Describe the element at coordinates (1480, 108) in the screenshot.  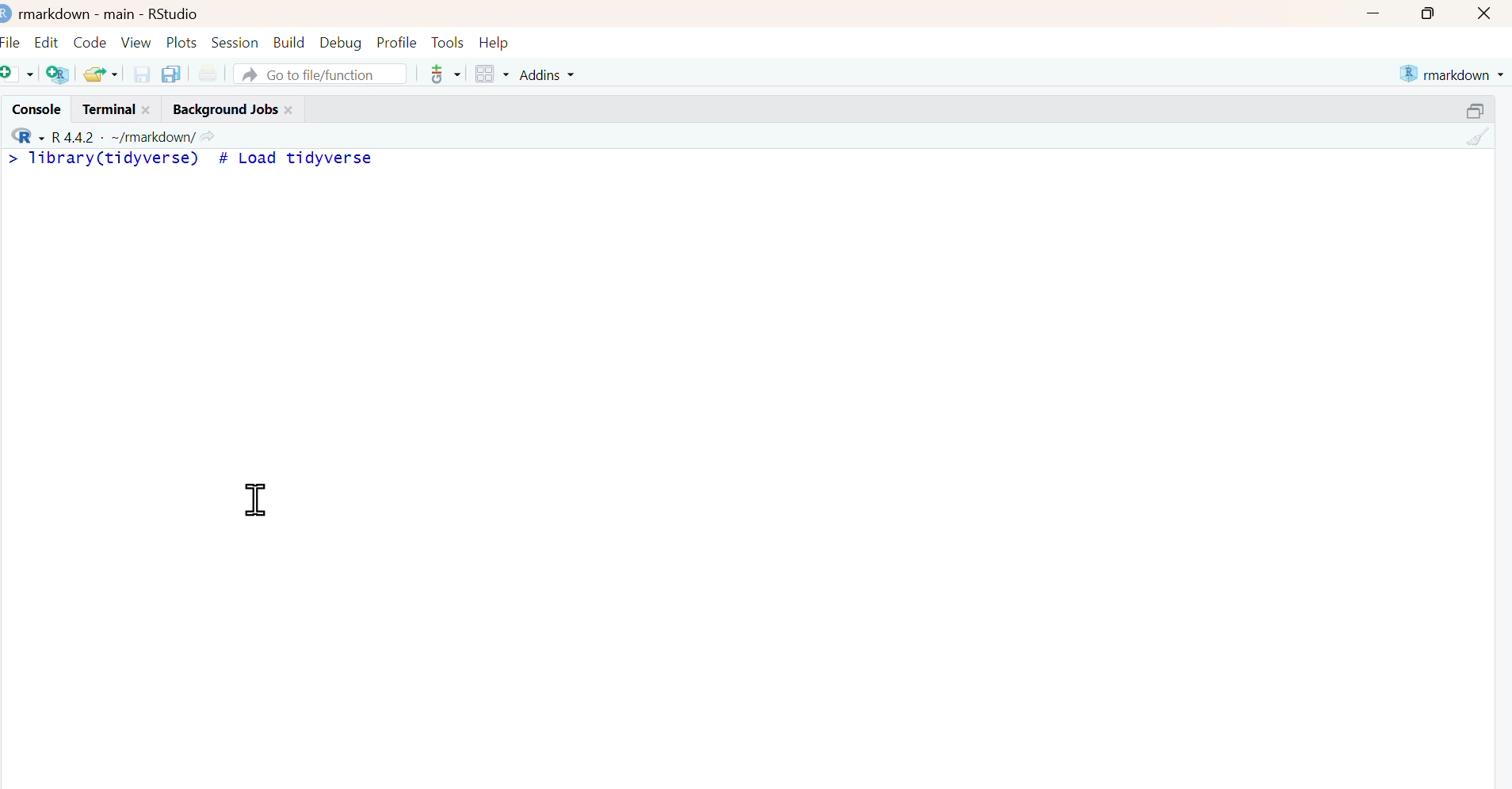
I see `resize` at that location.